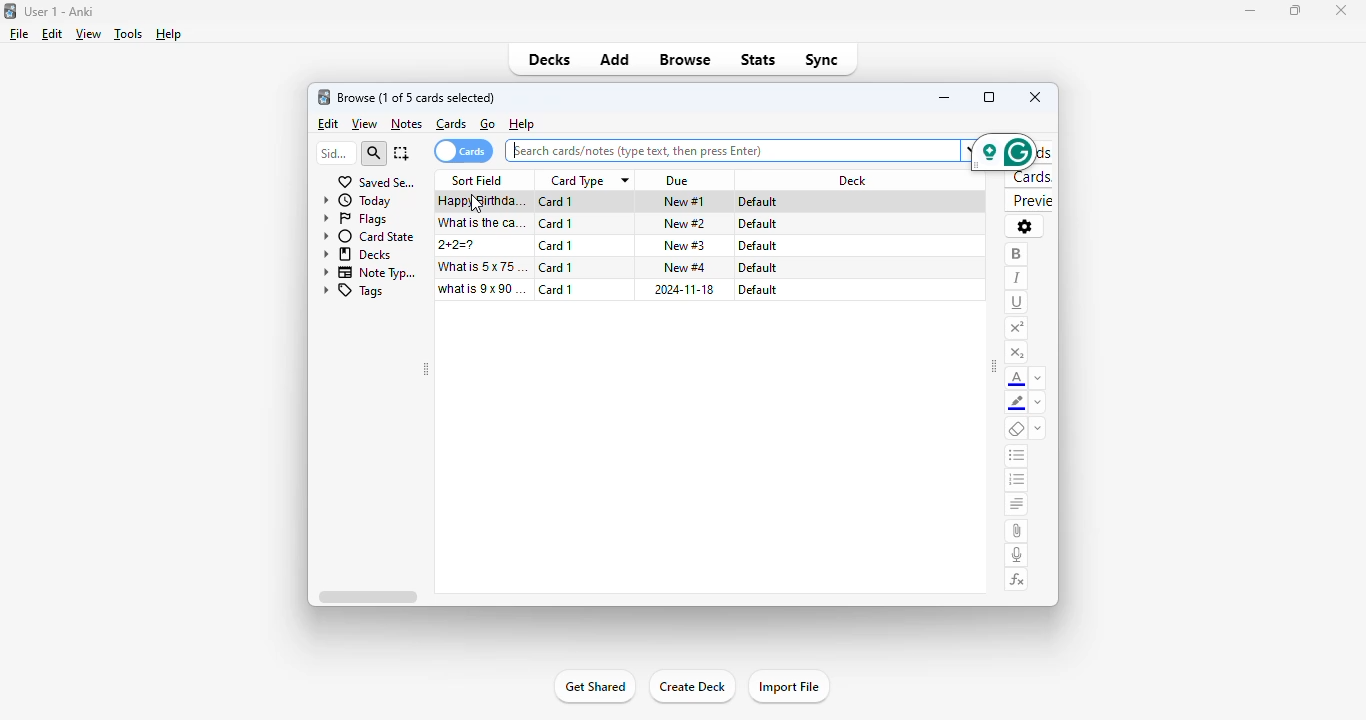 The width and height of the screenshot is (1366, 720). What do you see at coordinates (588, 181) in the screenshot?
I see `card type` at bounding box center [588, 181].